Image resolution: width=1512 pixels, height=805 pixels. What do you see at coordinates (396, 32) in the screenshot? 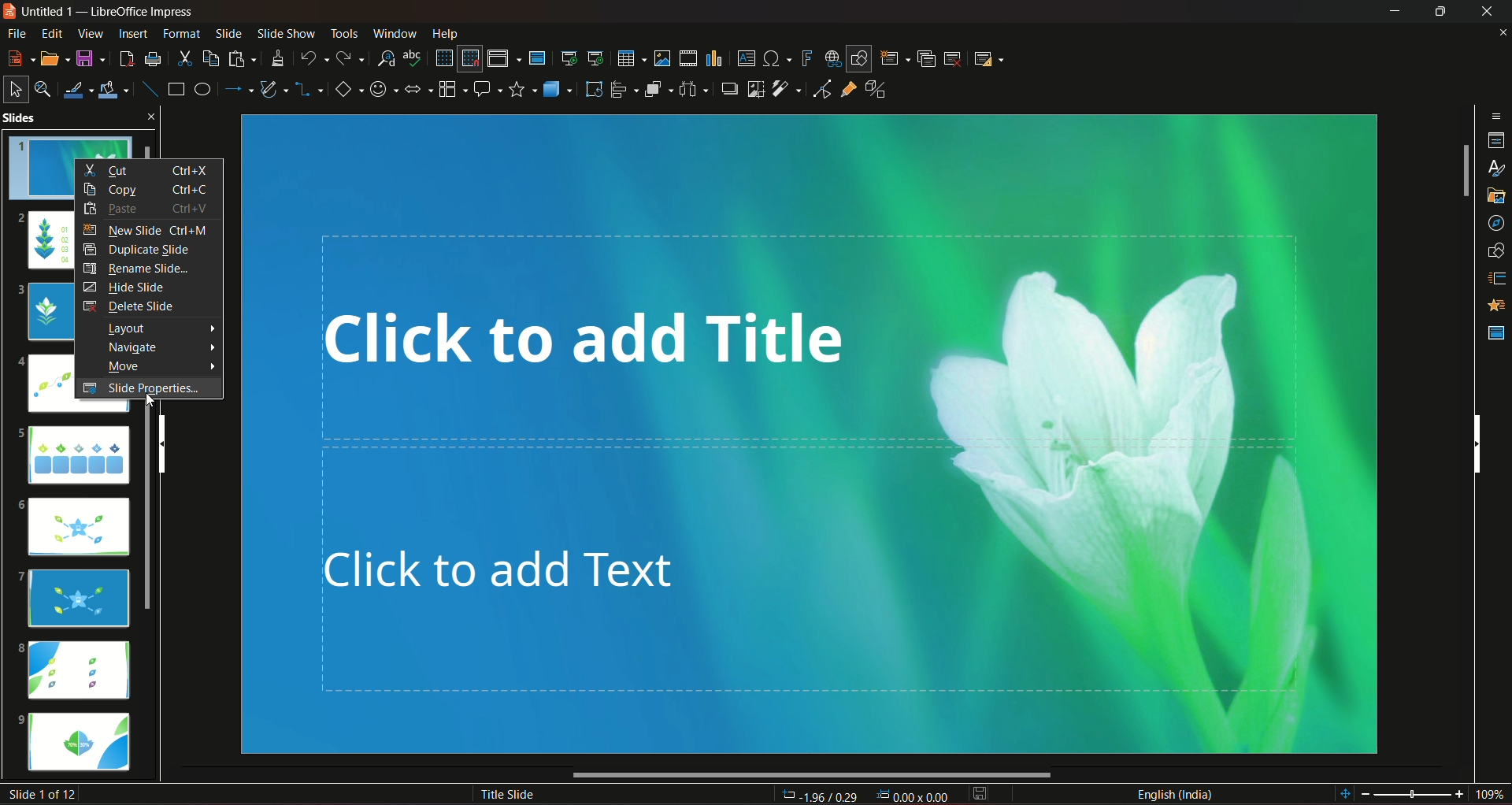
I see `window` at bounding box center [396, 32].